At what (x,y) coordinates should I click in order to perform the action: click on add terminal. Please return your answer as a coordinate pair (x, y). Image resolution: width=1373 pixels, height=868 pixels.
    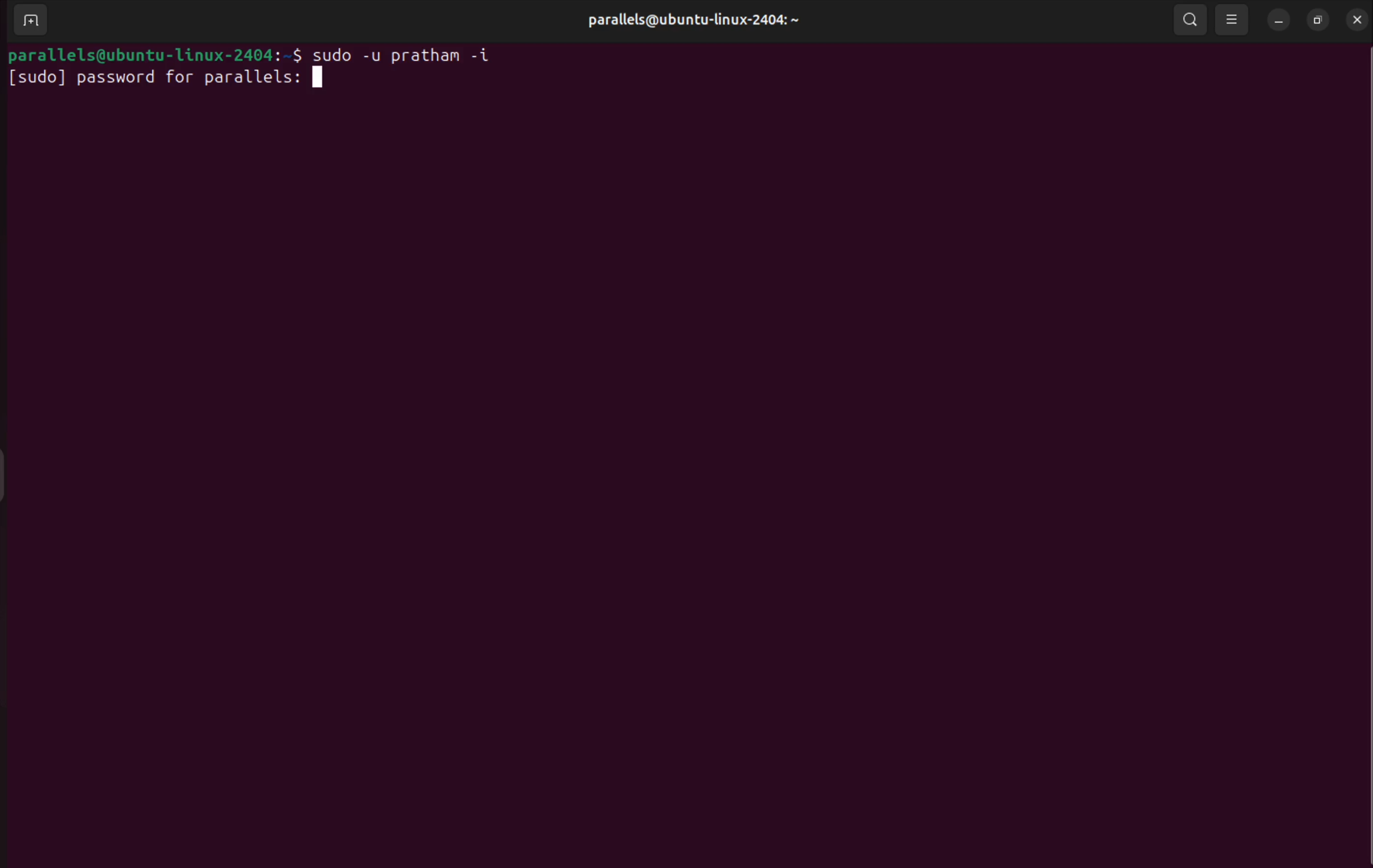
    Looking at the image, I should click on (28, 21).